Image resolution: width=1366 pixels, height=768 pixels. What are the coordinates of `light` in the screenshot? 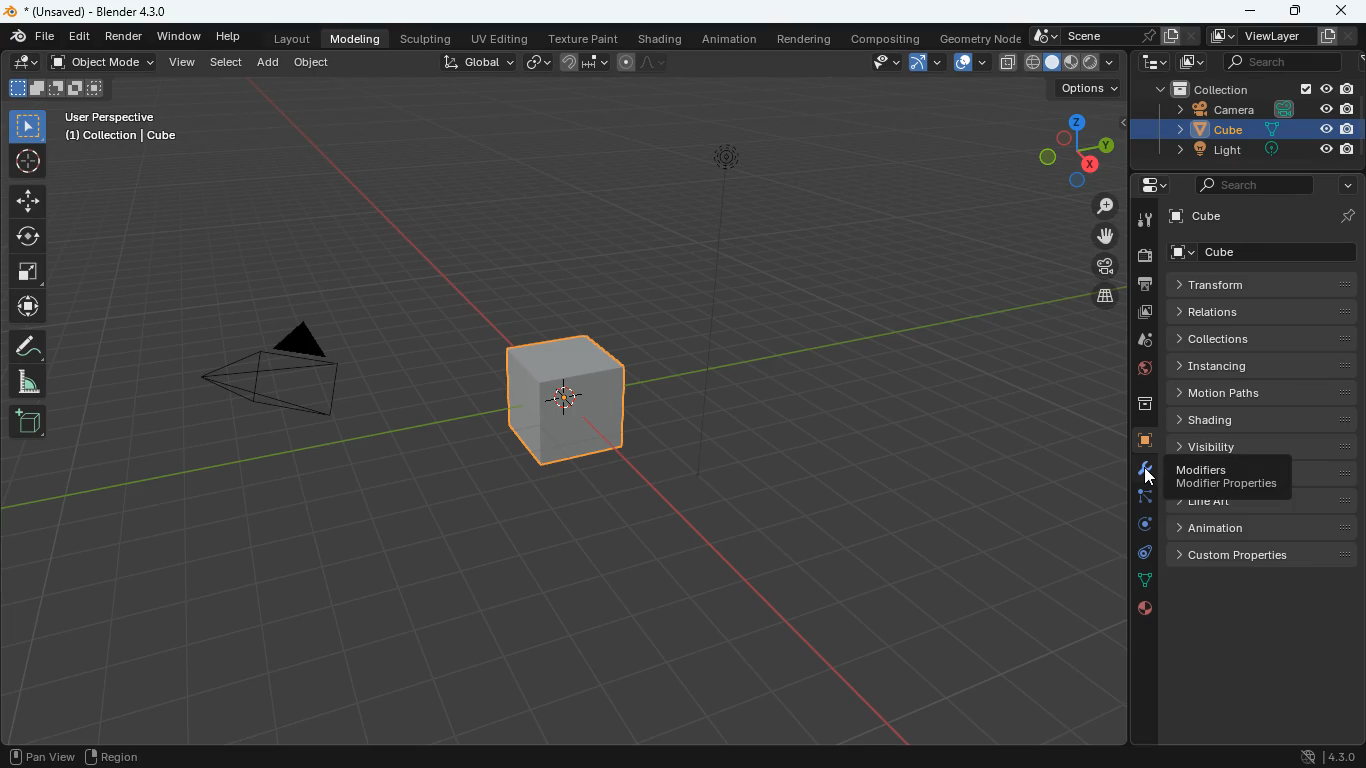 It's located at (722, 312).